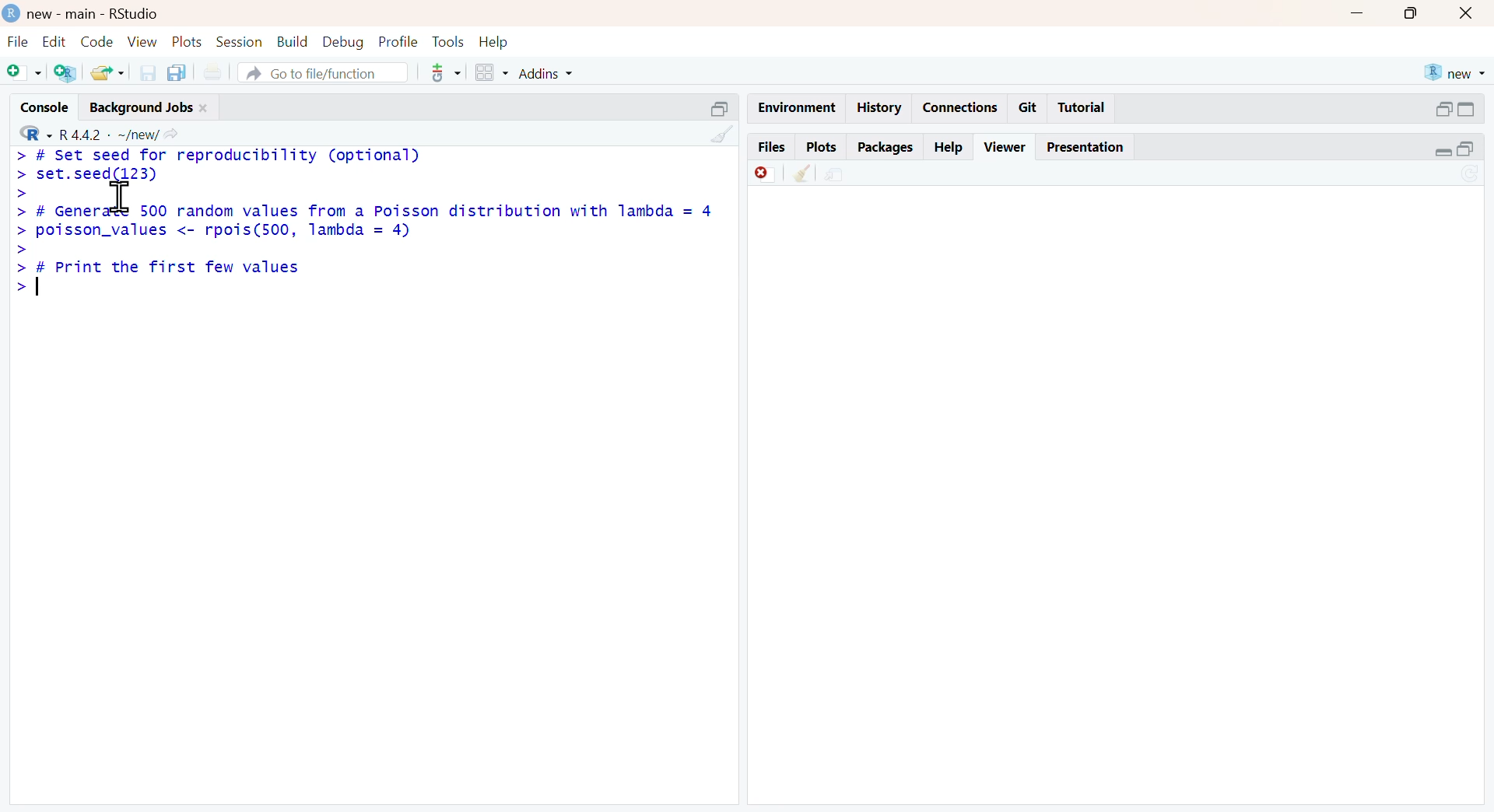  What do you see at coordinates (110, 135) in the screenshot?
I see `R 4.4.2 ~/new/` at bounding box center [110, 135].